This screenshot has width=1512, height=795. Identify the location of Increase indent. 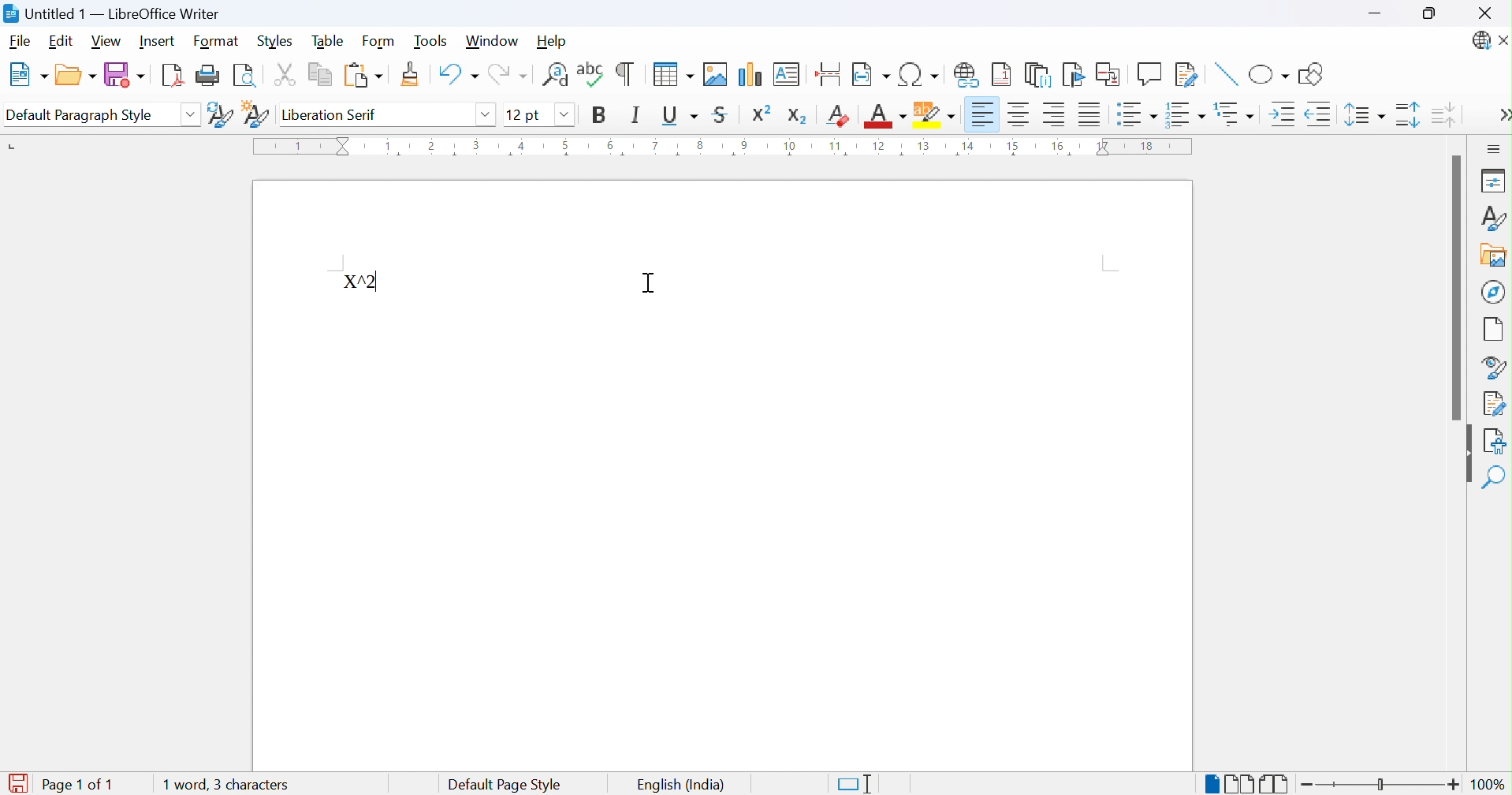
(1283, 115).